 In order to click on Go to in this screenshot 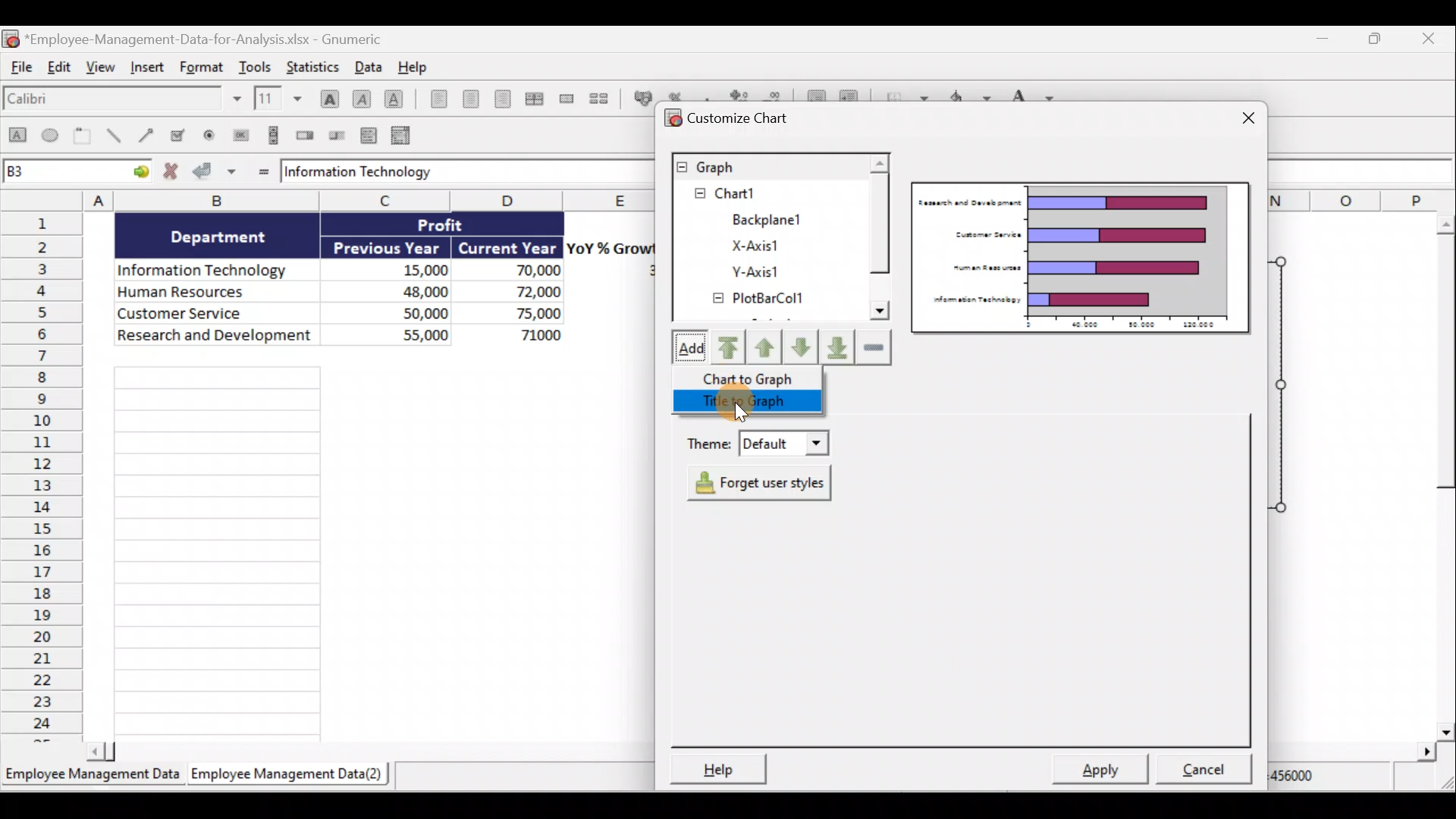, I will do `click(138, 174)`.